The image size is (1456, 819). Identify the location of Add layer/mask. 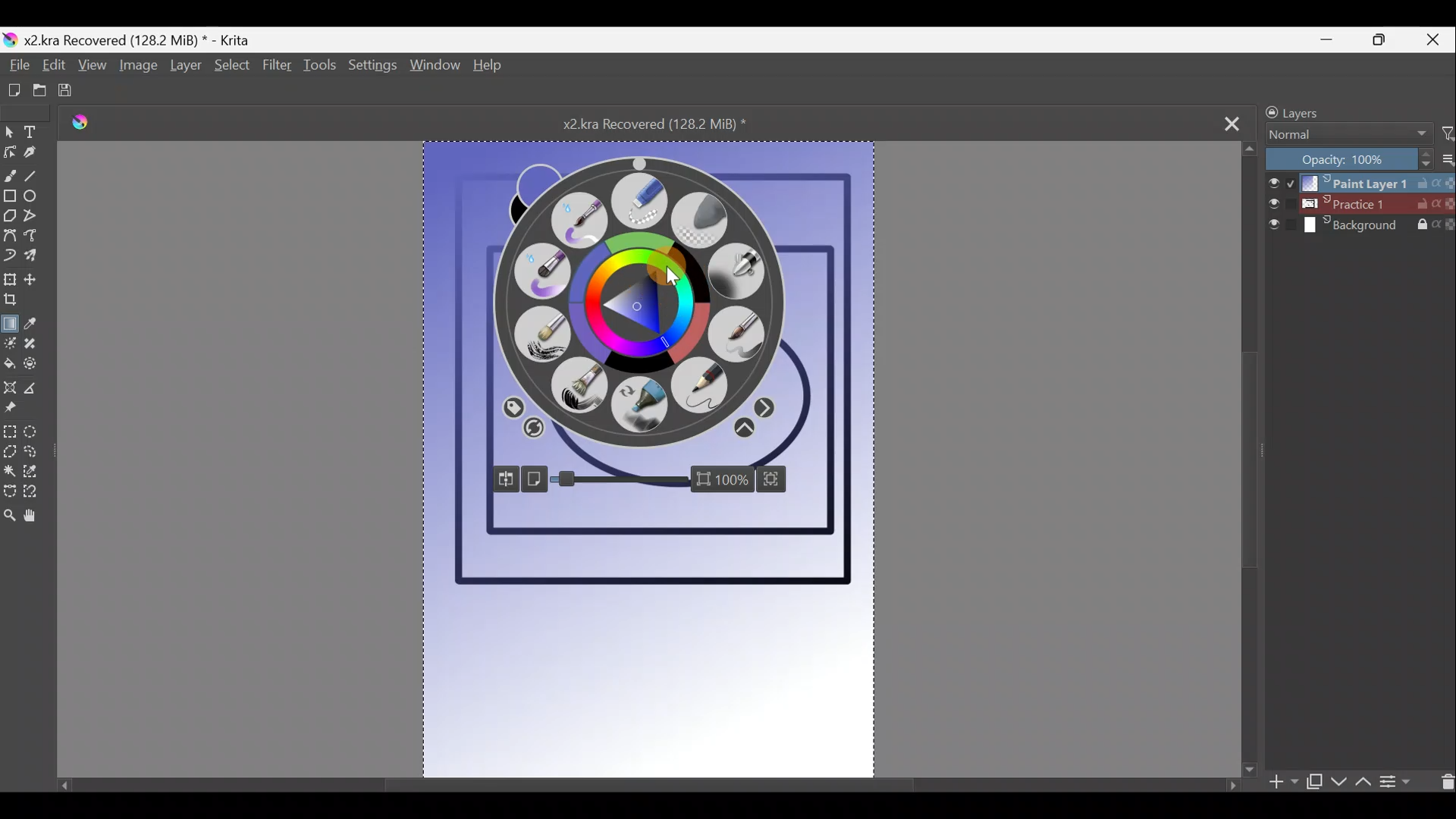
(1285, 783).